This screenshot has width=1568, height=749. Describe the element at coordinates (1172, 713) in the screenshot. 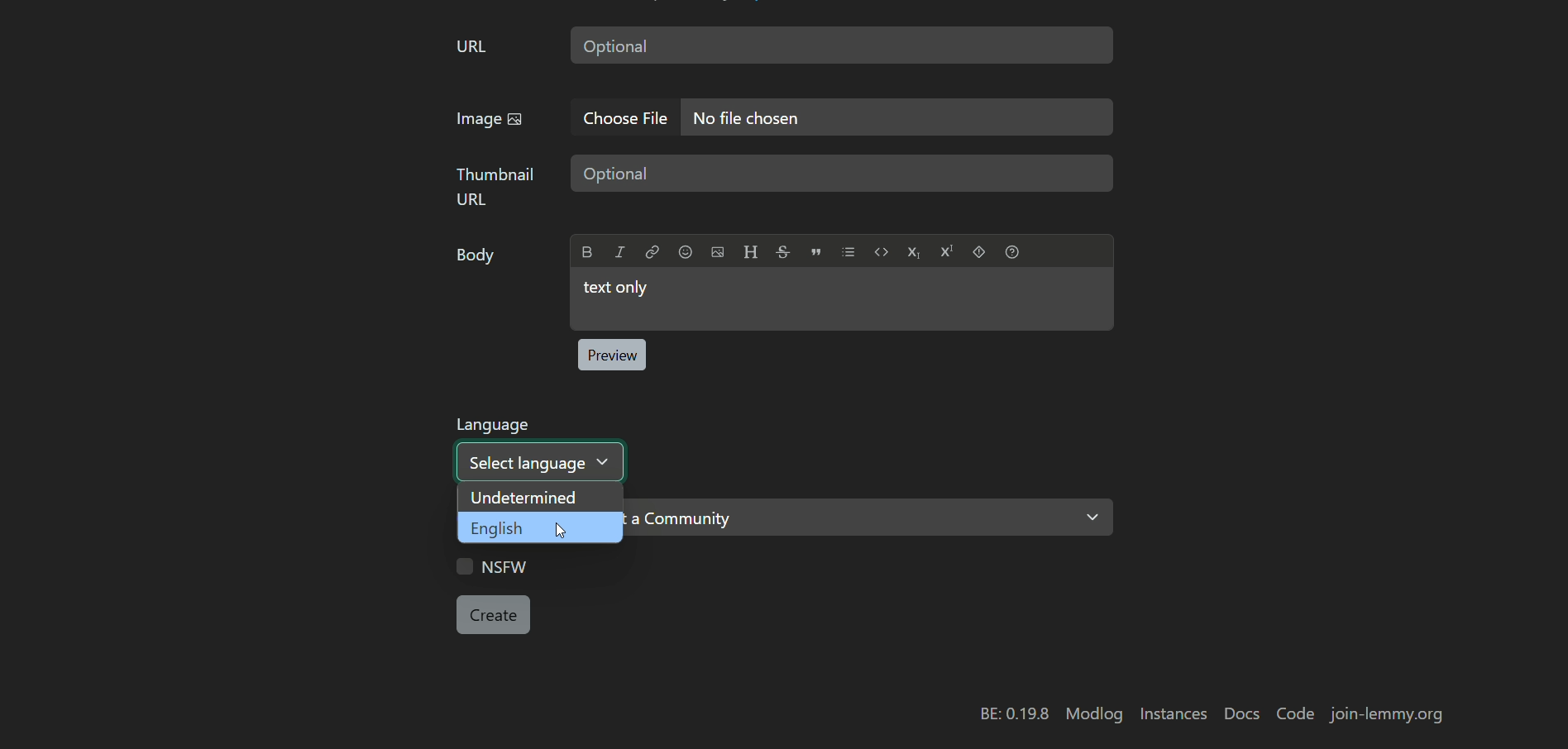

I see `instances` at that location.